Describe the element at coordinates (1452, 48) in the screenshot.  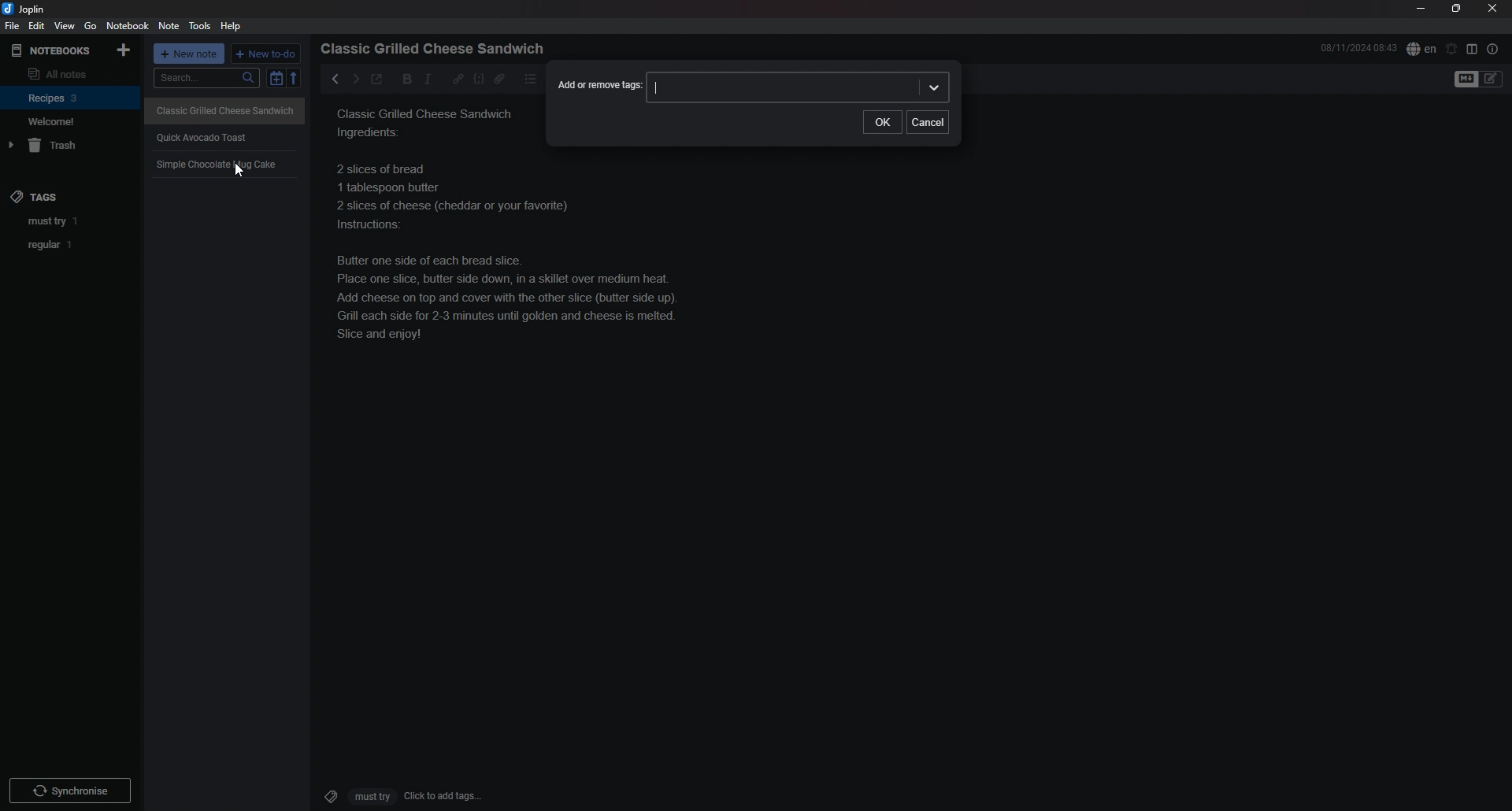
I see `set alarm` at that location.